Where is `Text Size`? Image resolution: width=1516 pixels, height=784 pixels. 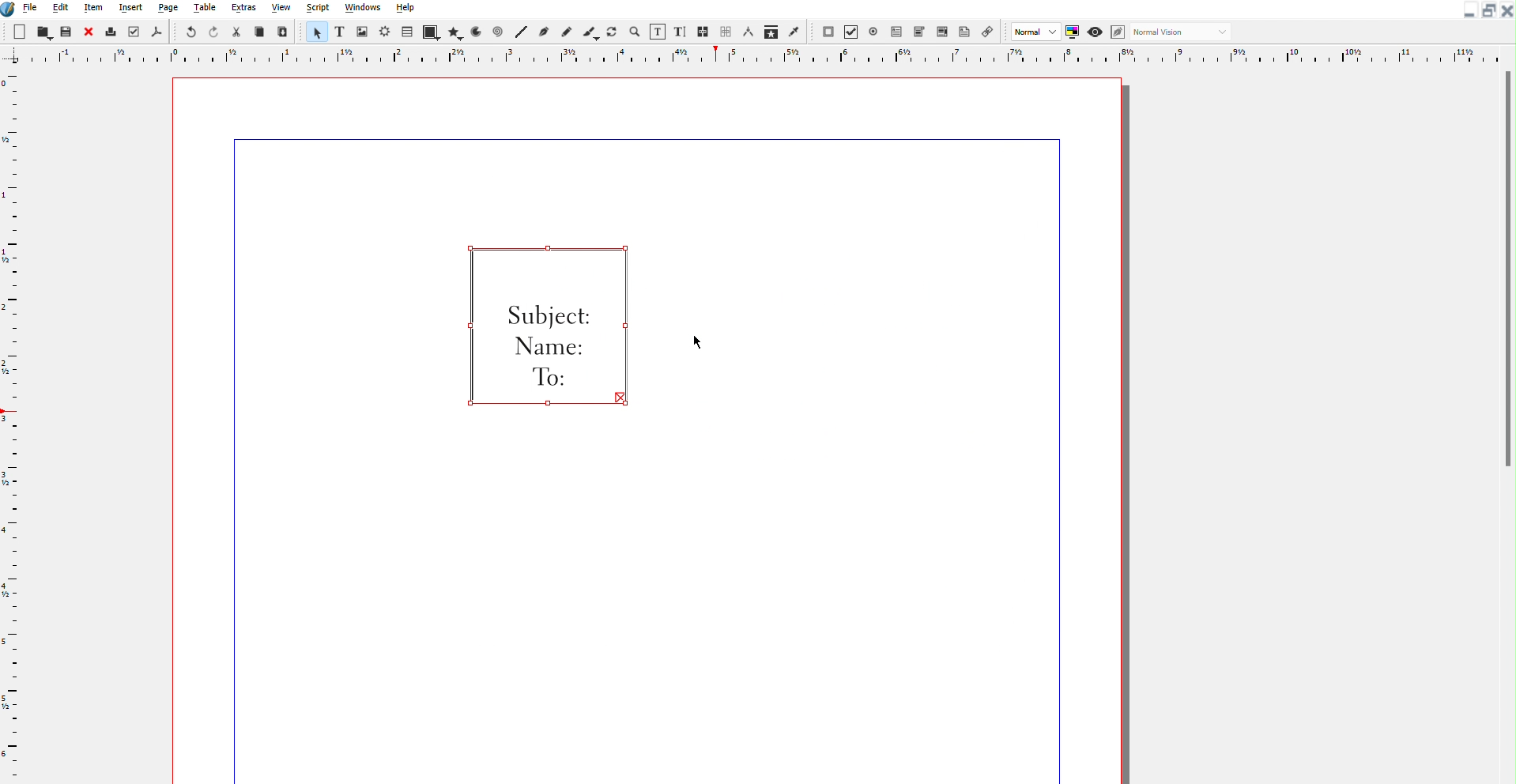 Text Size is located at coordinates (681, 31).